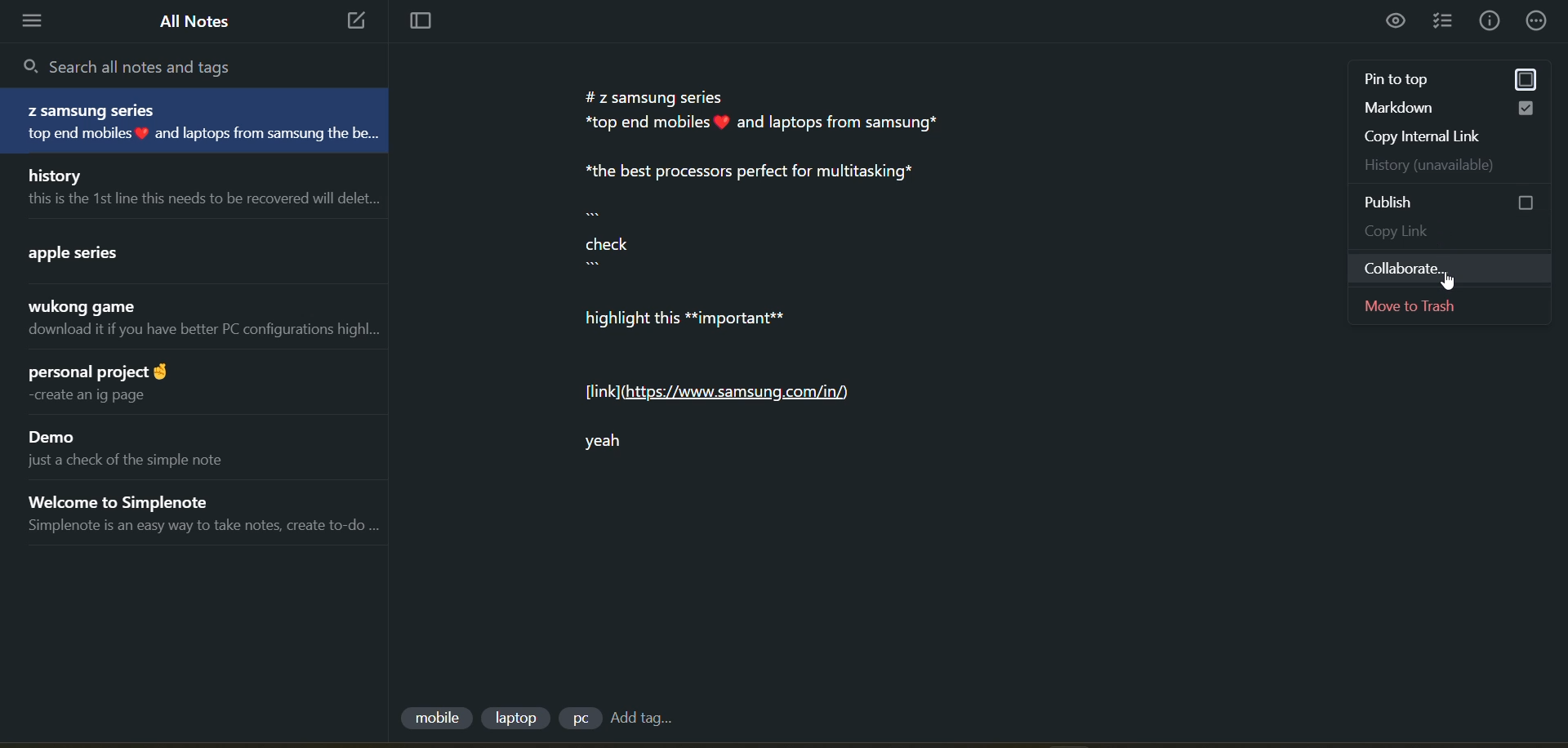 This screenshot has height=748, width=1568. I want to click on note title and preview, so click(196, 514).